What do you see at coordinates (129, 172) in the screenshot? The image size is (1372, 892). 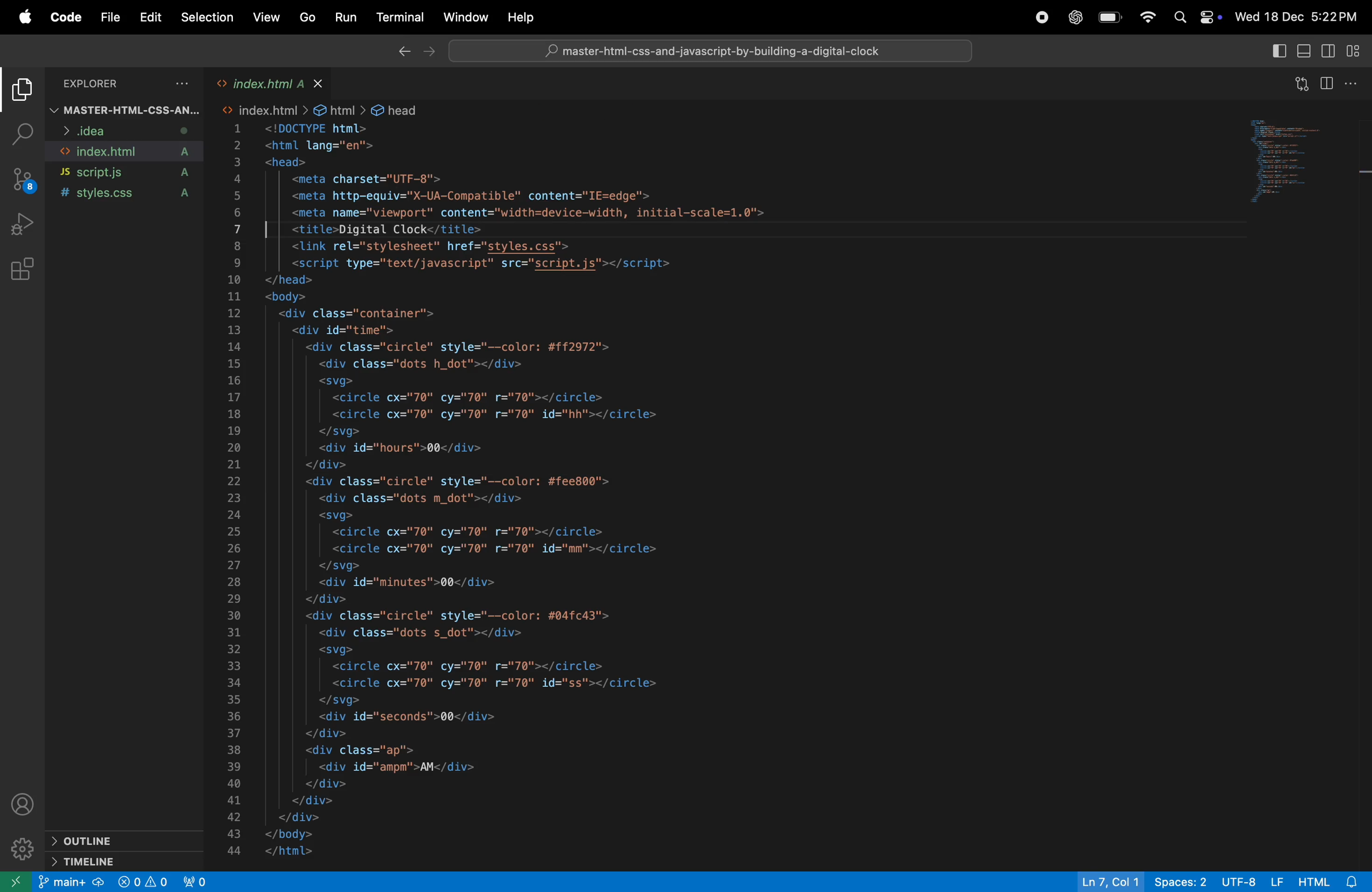 I see `script .js` at bounding box center [129, 172].